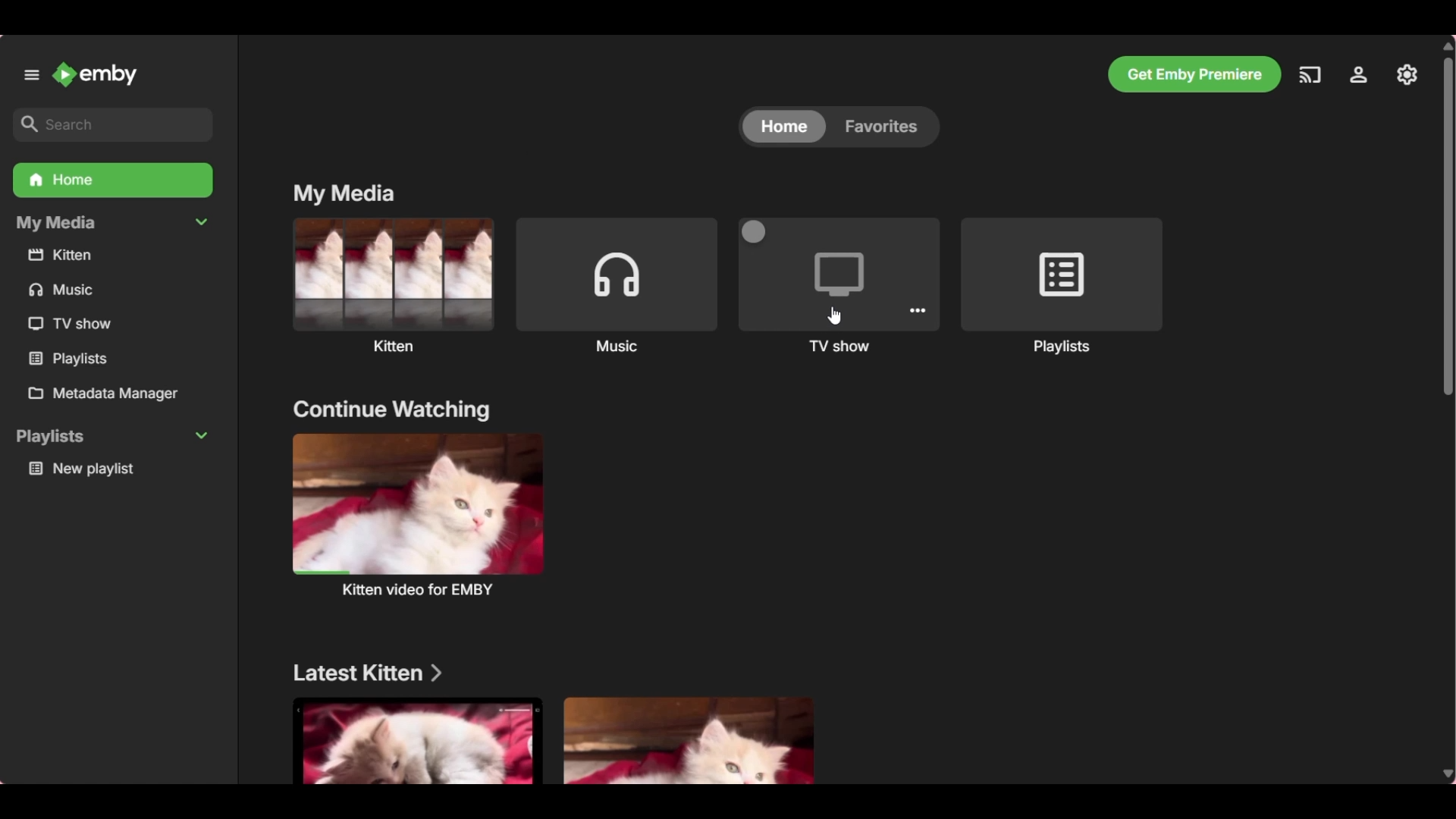  I want to click on Quick slide to top, so click(1446, 46).